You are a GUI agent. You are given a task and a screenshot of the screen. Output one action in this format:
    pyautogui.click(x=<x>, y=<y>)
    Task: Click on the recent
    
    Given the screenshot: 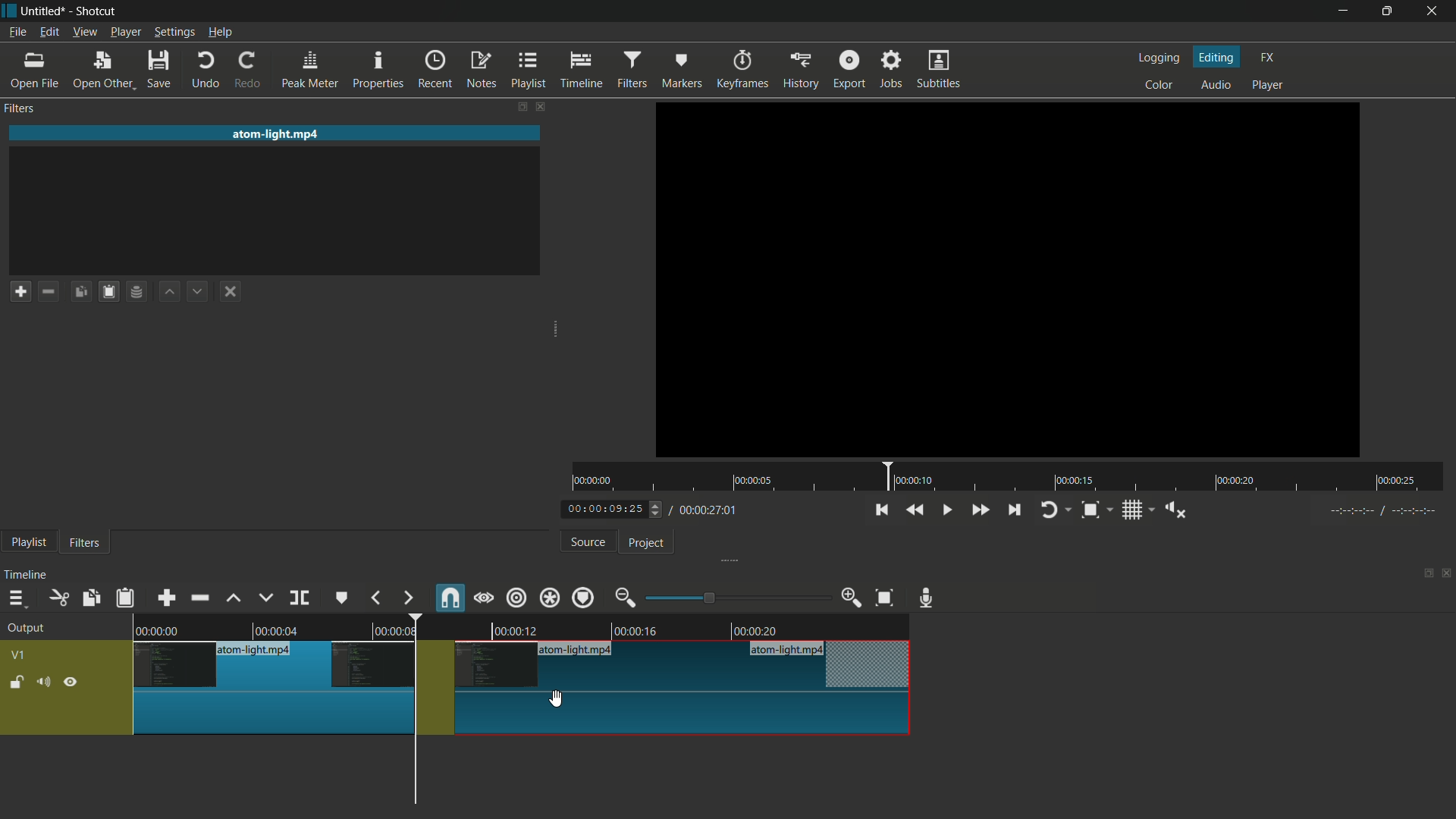 What is the action you would take?
    pyautogui.click(x=438, y=70)
    